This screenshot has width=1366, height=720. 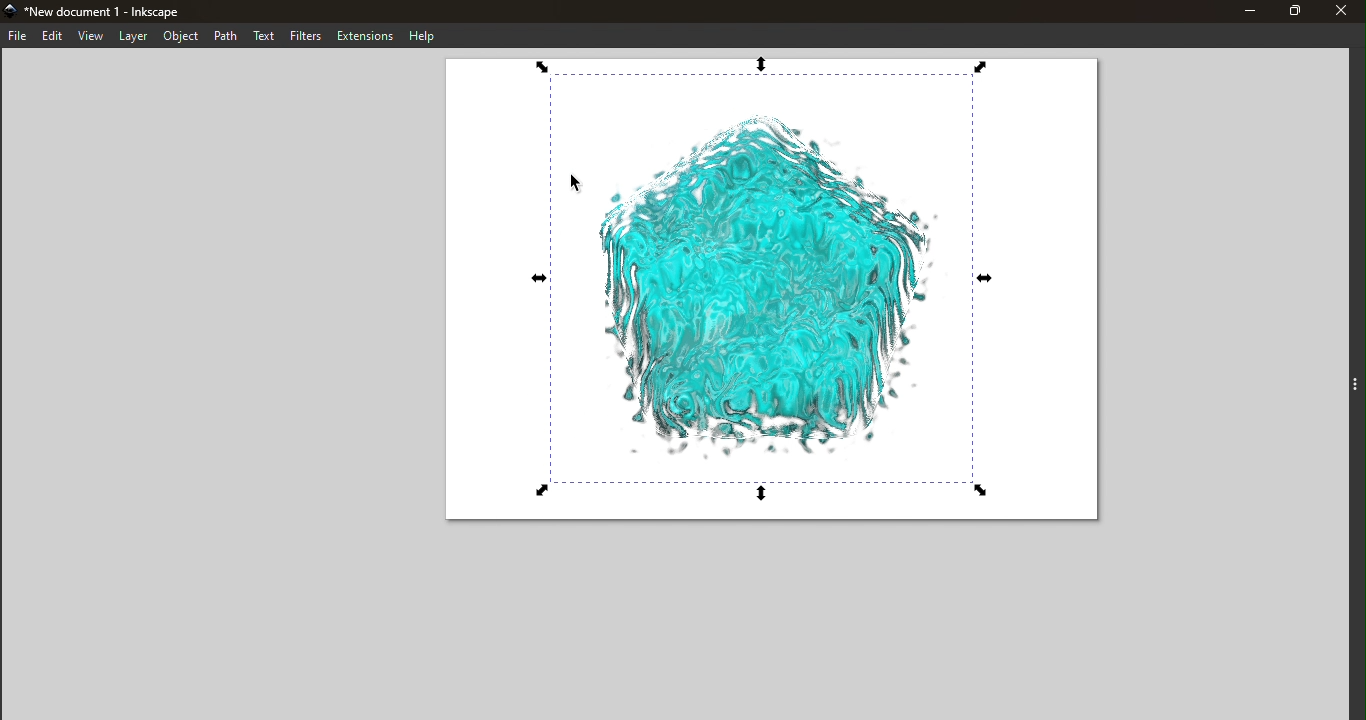 I want to click on Help, so click(x=428, y=34).